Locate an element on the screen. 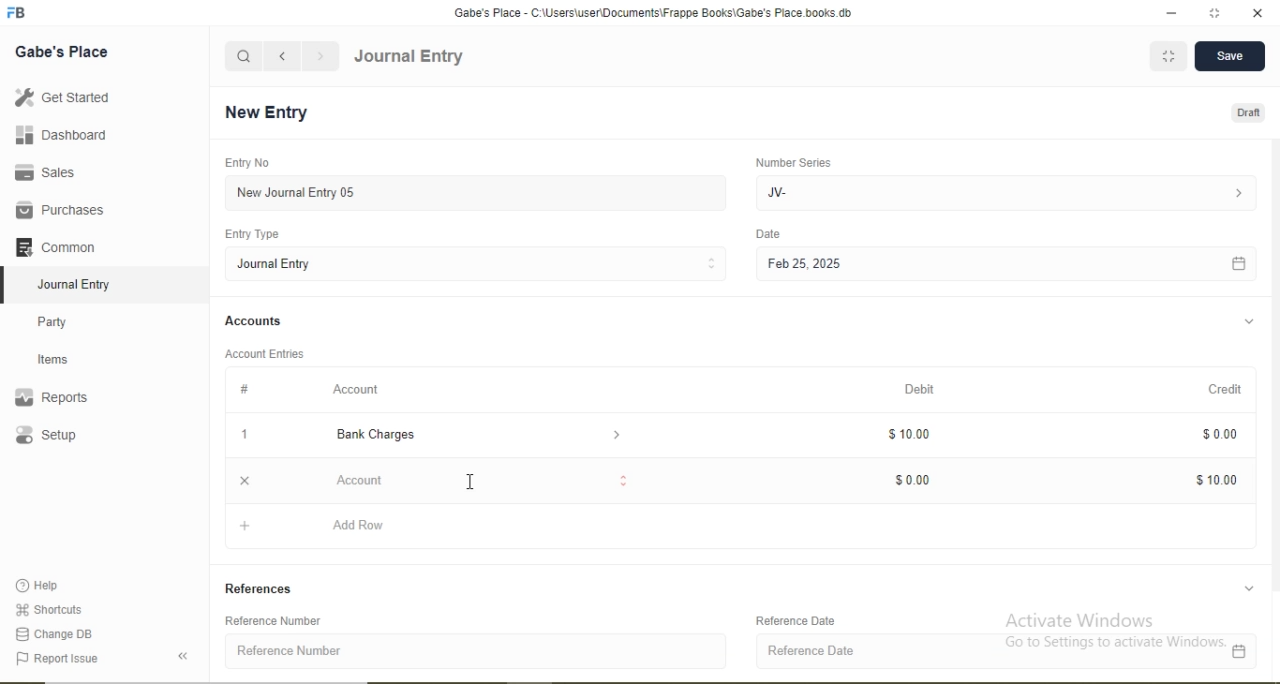 The width and height of the screenshot is (1280, 684). Entry Type is located at coordinates (254, 234).